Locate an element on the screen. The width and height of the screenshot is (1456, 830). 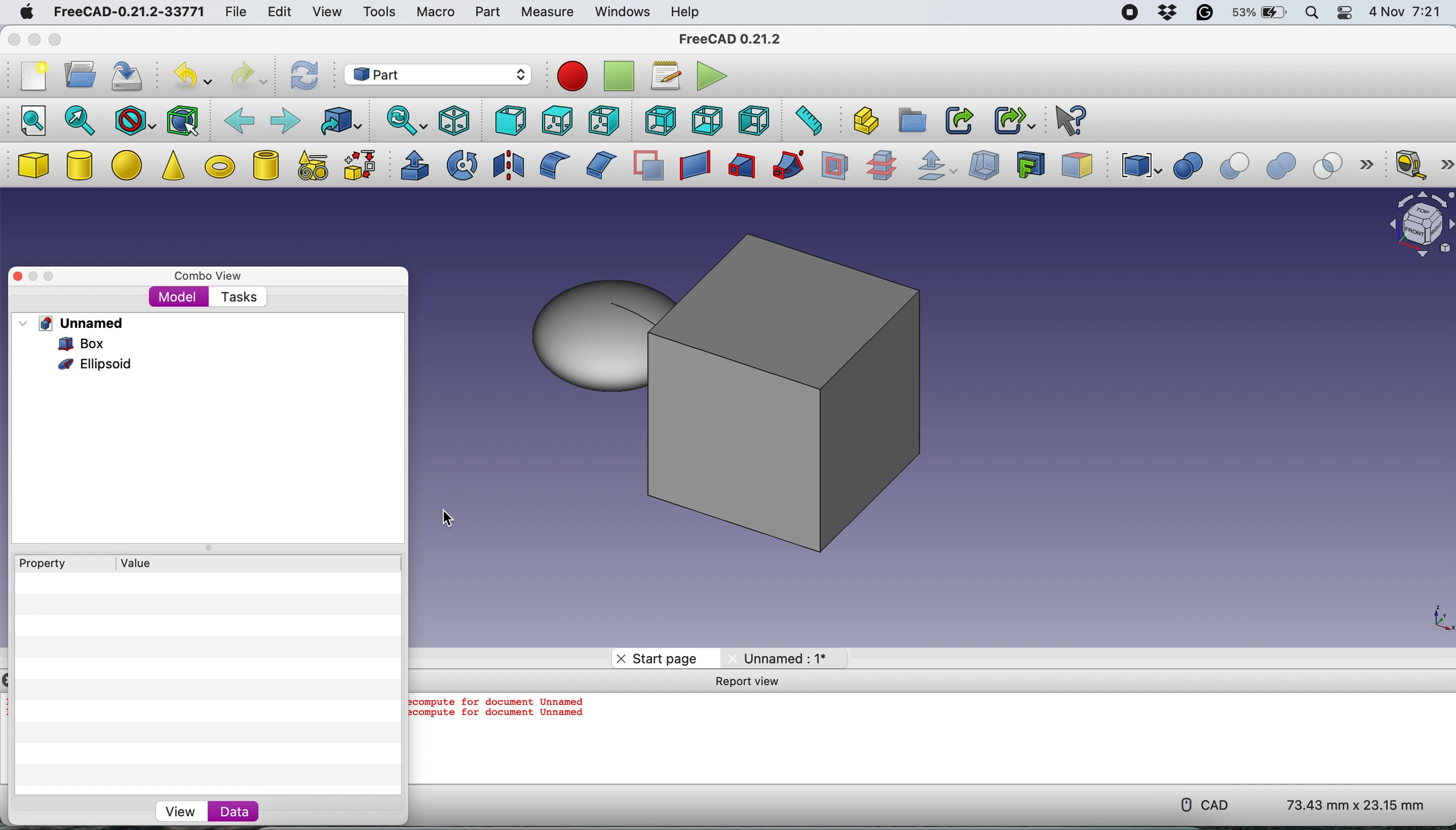
extrude is located at coordinates (411, 165).